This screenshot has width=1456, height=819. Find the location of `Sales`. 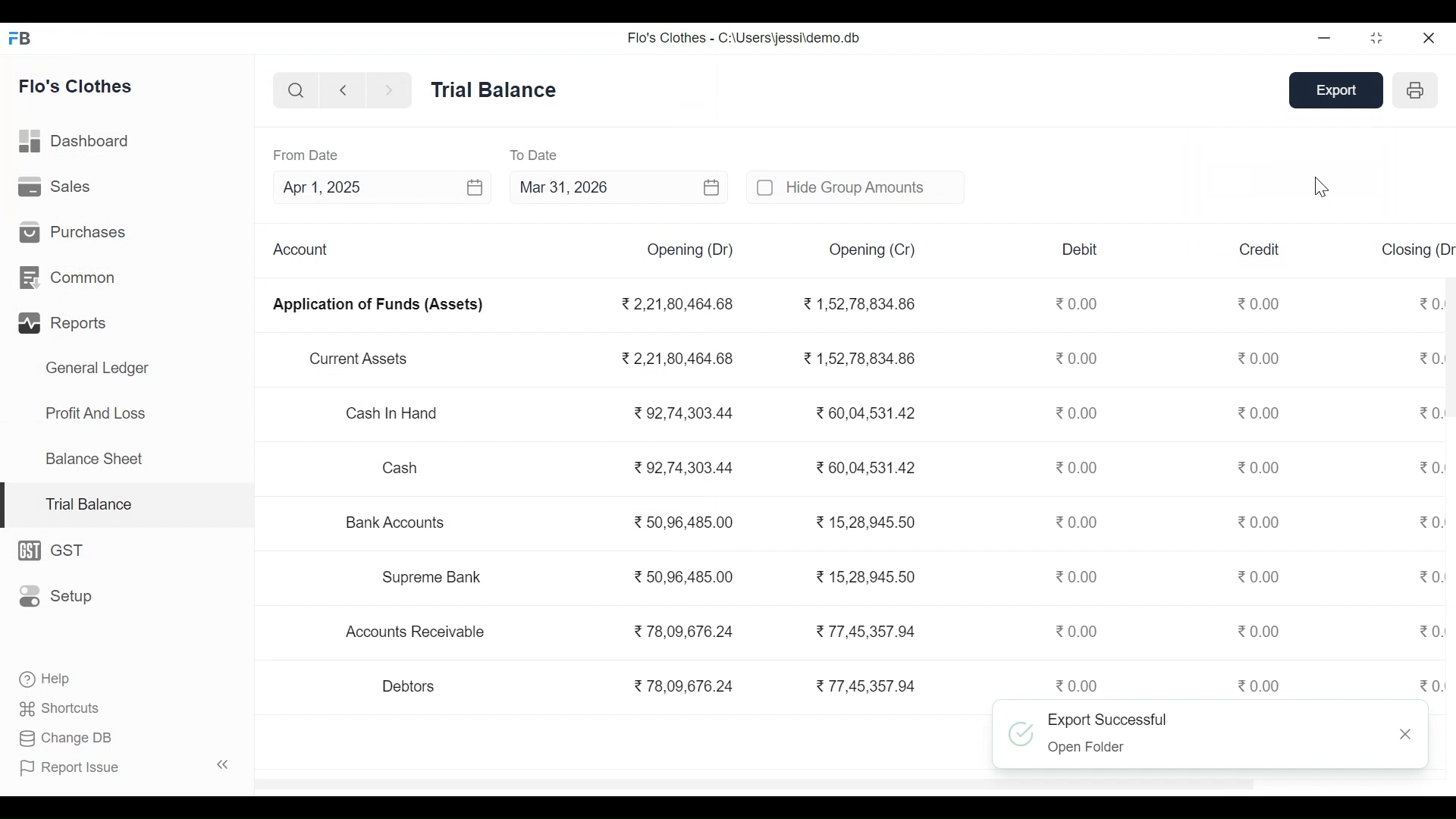

Sales is located at coordinates (58, 187).